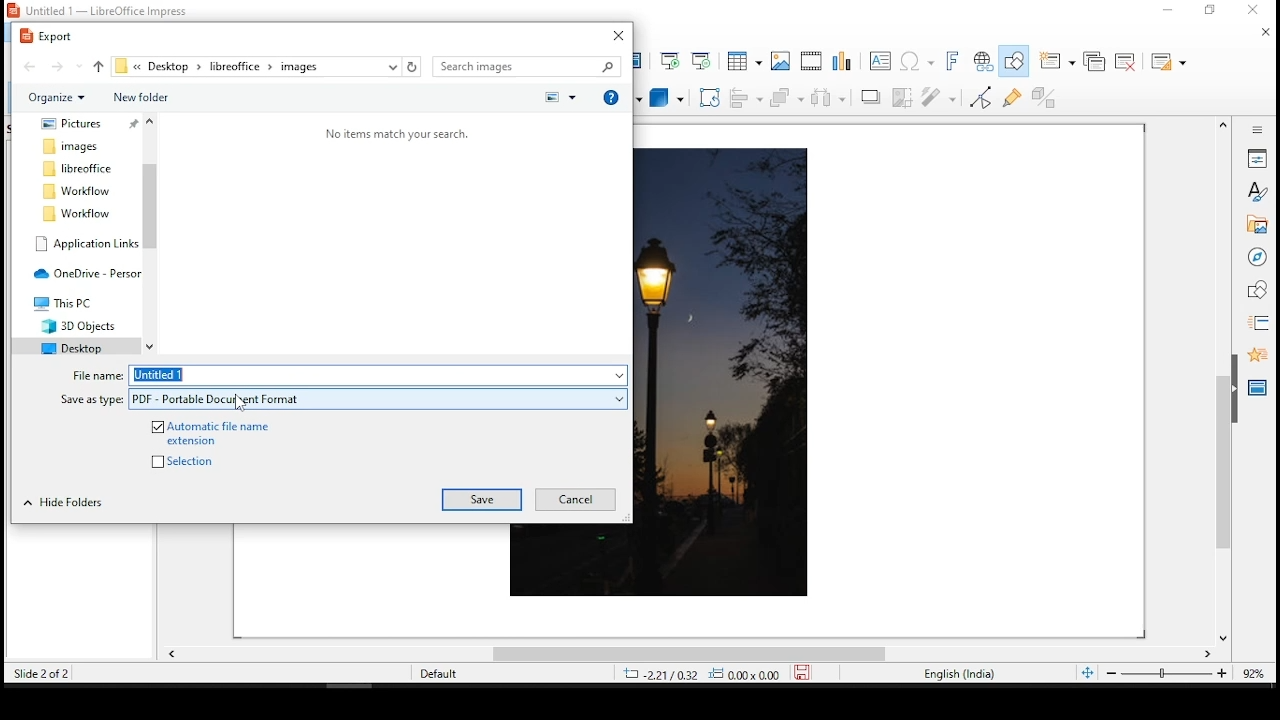 The image size is (1280, 720). What do you see at coordinates (743, 59) in the screenshot?
I see `tables` at bounding box center [743, 59].